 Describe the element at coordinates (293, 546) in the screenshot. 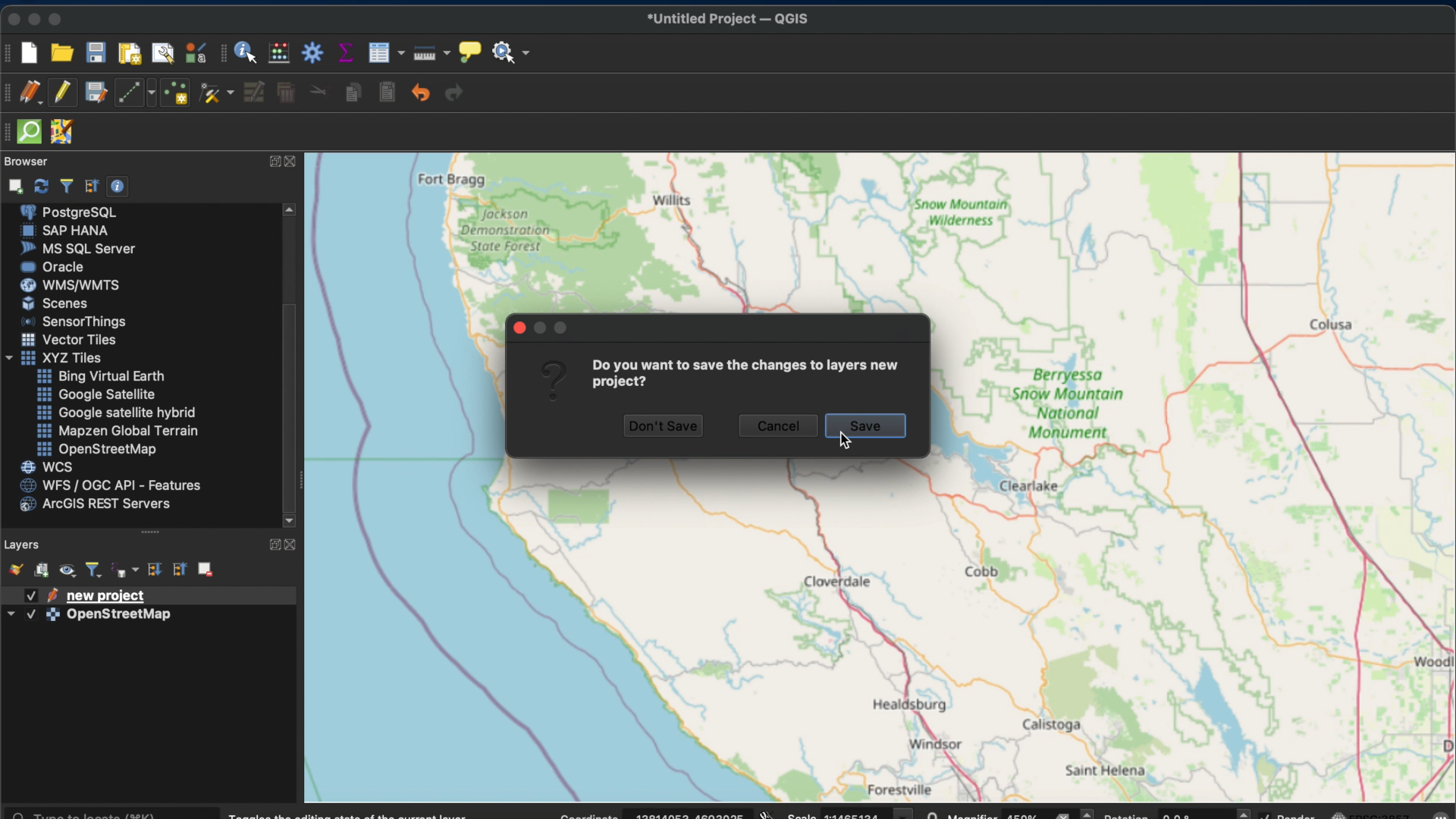

I see `CONTRACT` at that location.